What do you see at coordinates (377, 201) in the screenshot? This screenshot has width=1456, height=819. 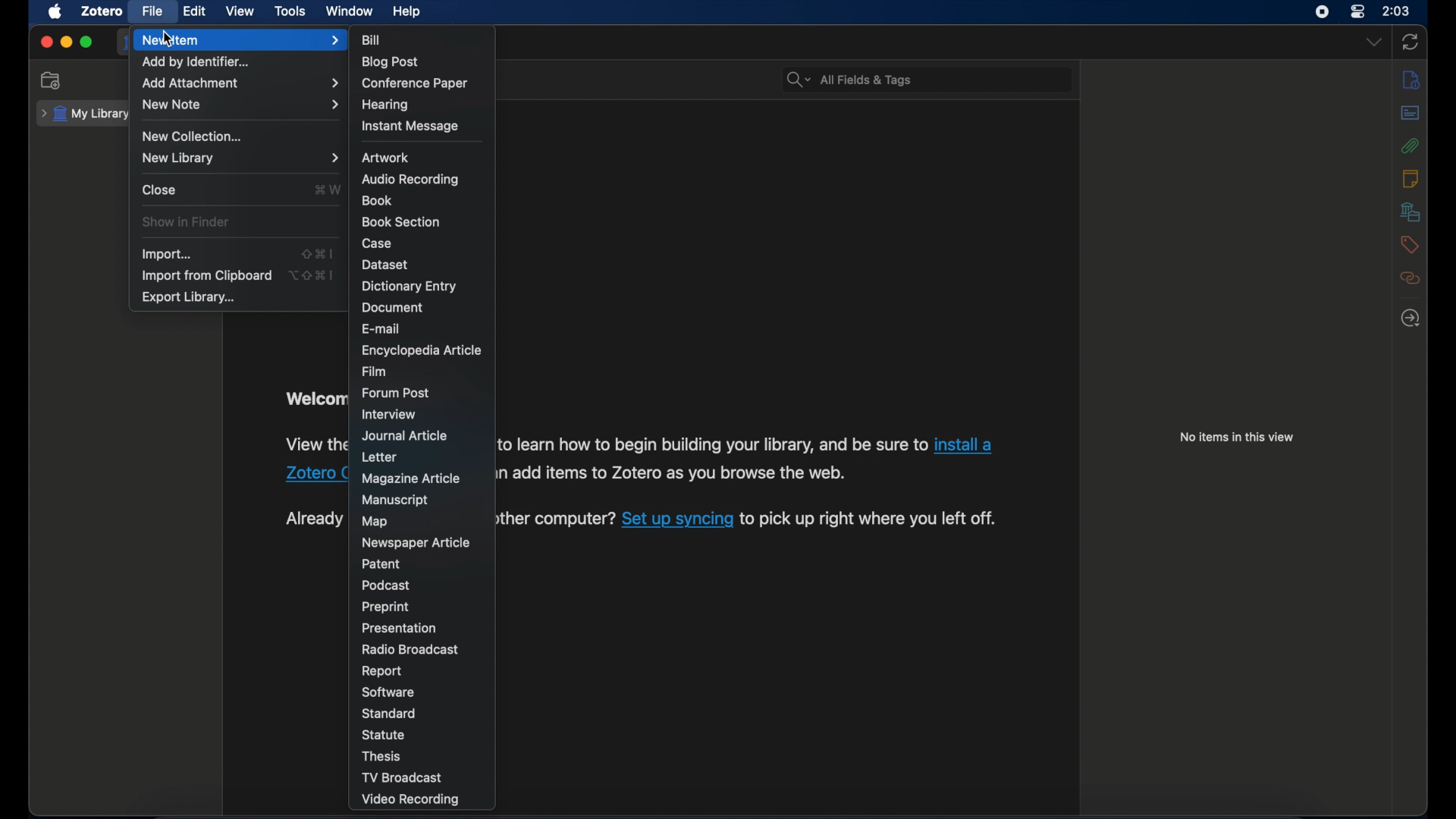 I see `book` at bounding box center [377, 201].